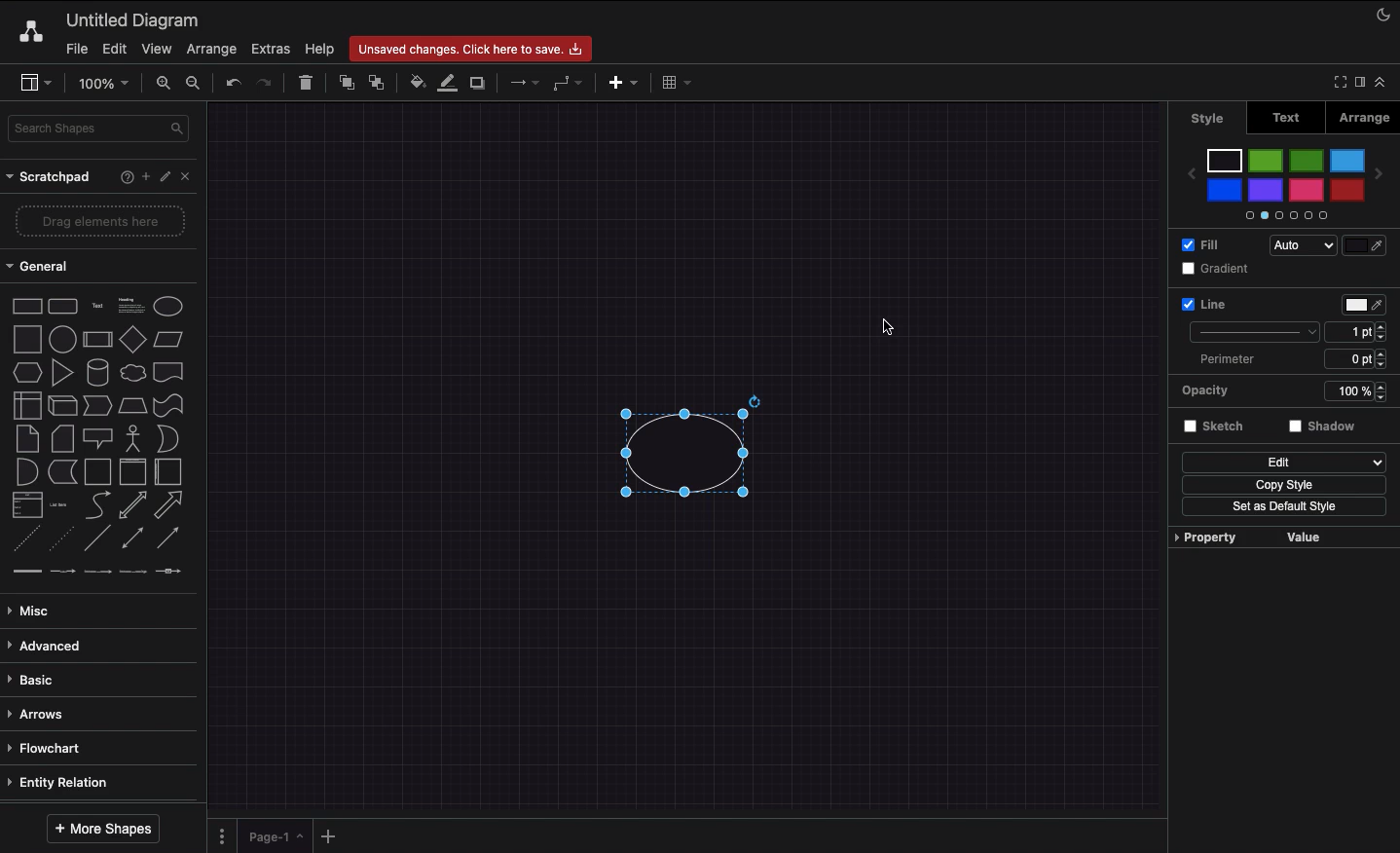 This screenshot has width=1400, height=853. What do you see at coordinates (97, 406) in the screenshot?
I see `Step` at bounding box center [97, 406].